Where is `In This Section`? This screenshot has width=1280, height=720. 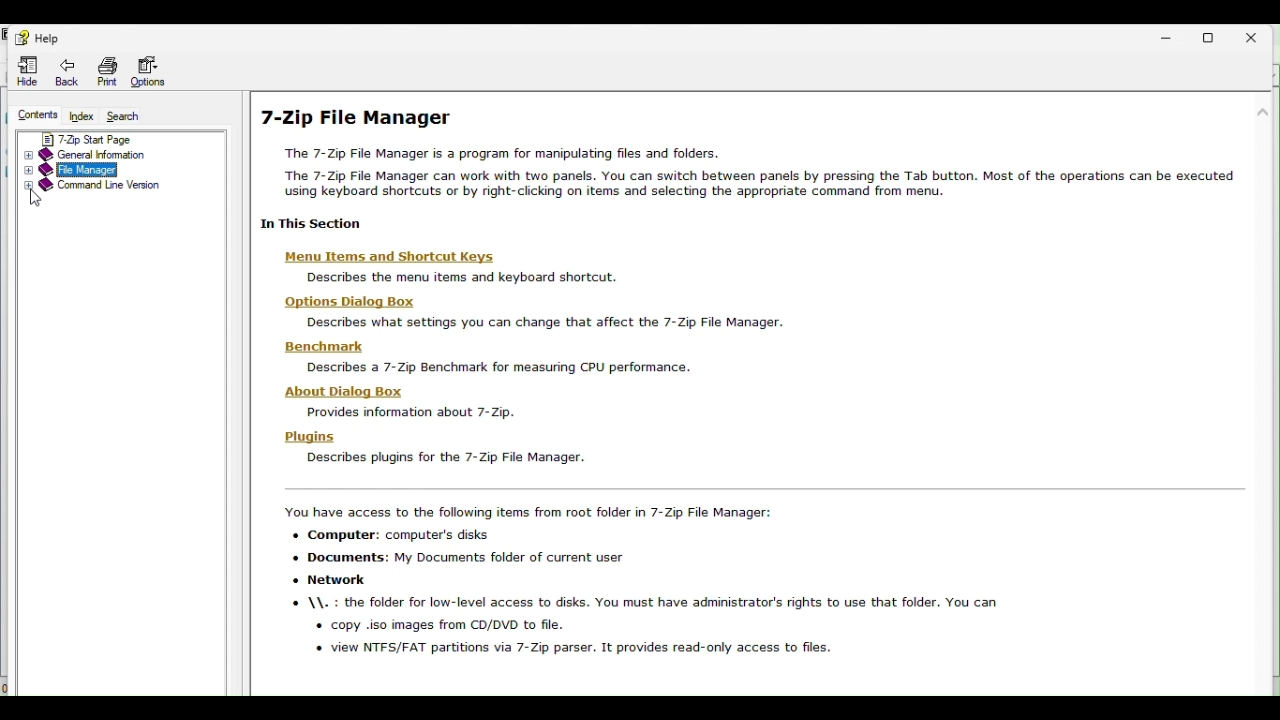
In This Section is located at coordinates (316, 223).